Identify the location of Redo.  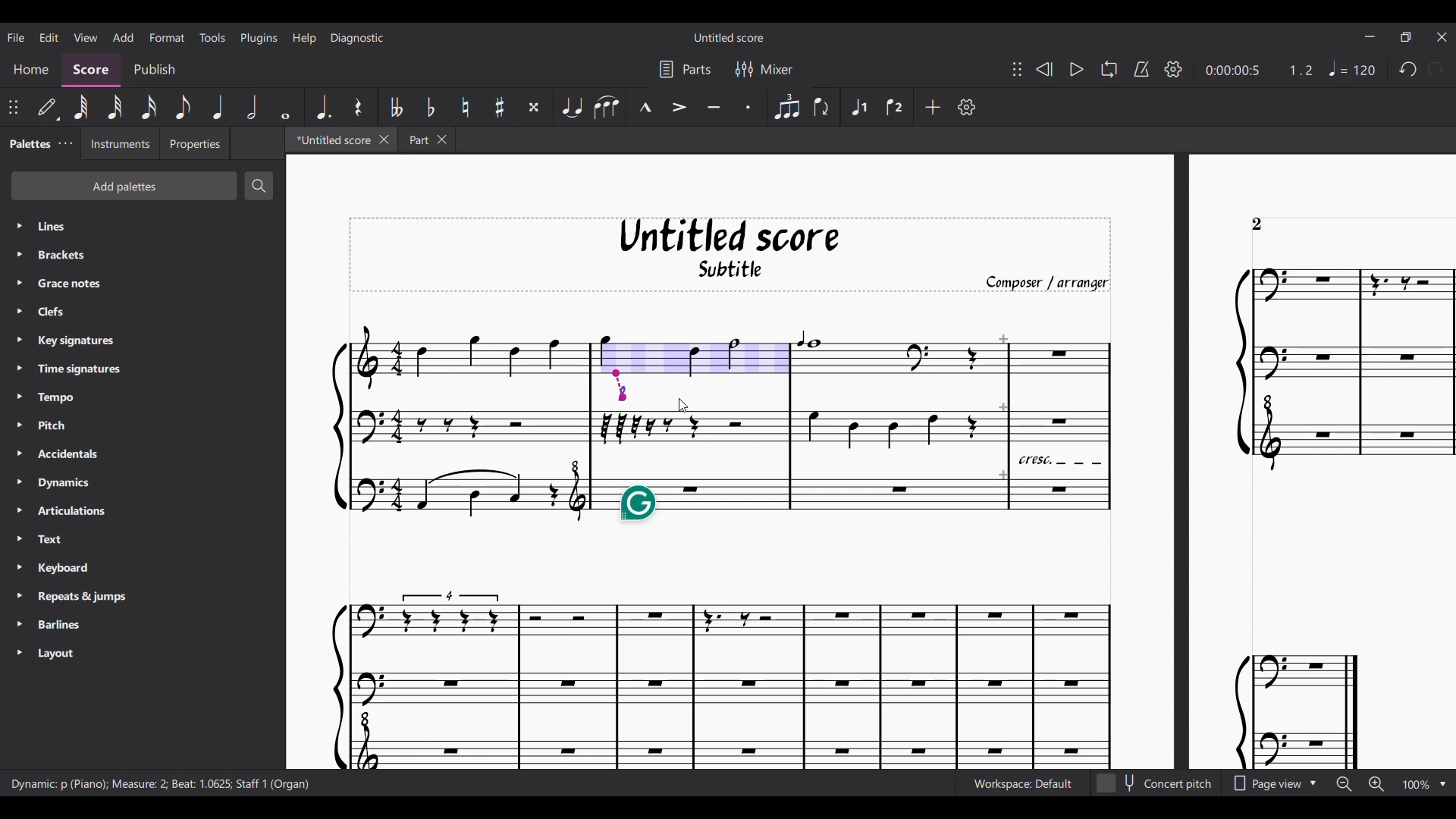
(1436, 69).